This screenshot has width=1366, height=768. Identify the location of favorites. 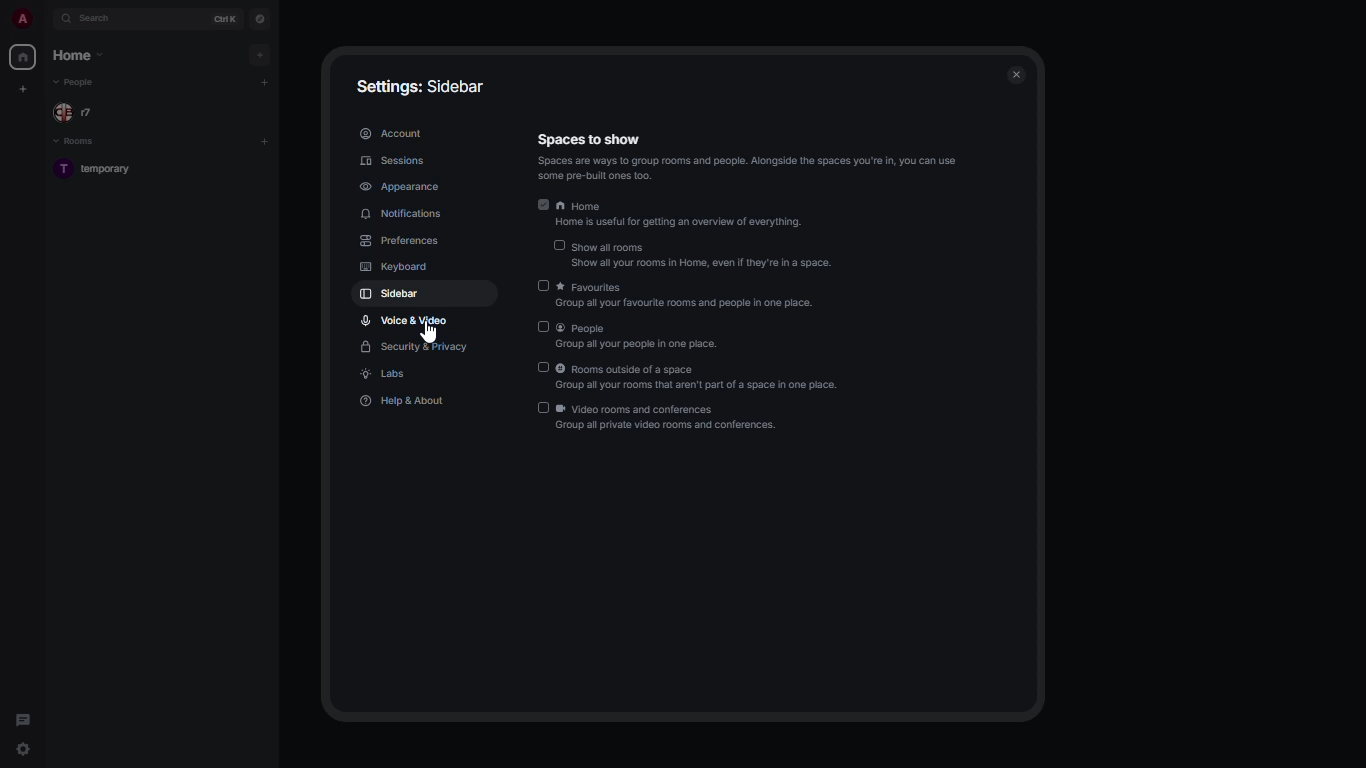
(688, 295).